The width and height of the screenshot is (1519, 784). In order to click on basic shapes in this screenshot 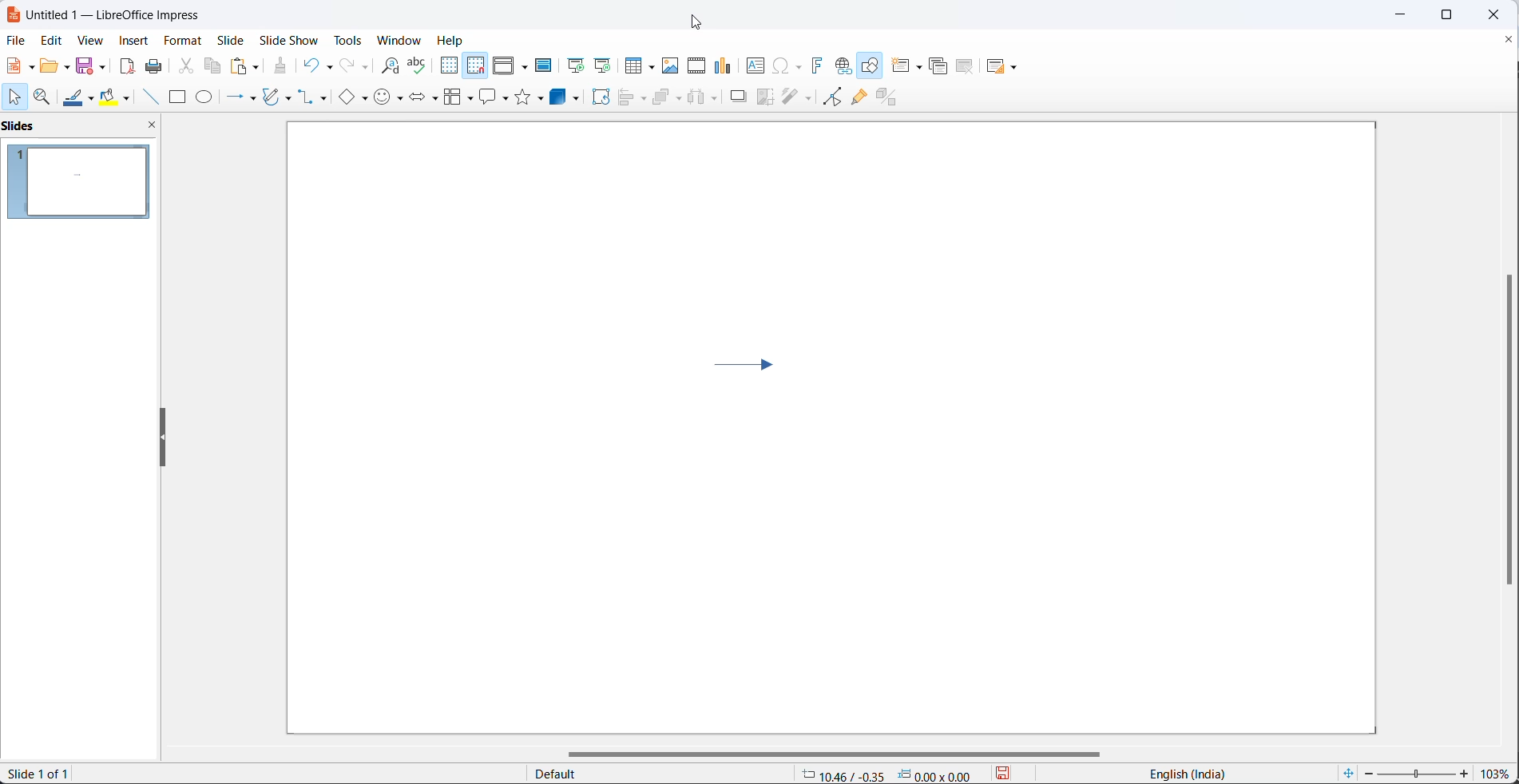, I will do `click(351, 98)`.